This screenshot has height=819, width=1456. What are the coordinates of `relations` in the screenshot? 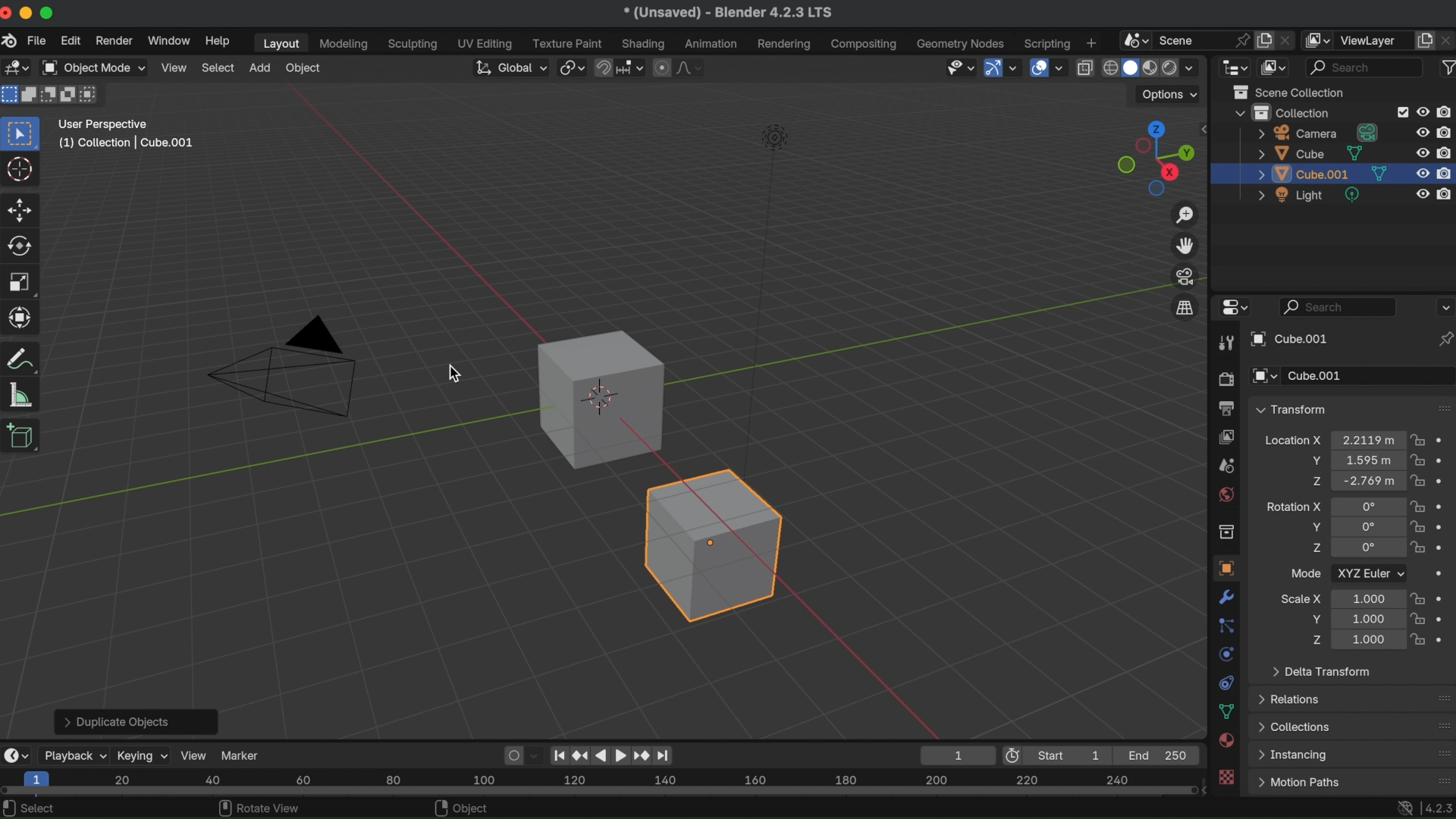 It's located at (1292, 698).